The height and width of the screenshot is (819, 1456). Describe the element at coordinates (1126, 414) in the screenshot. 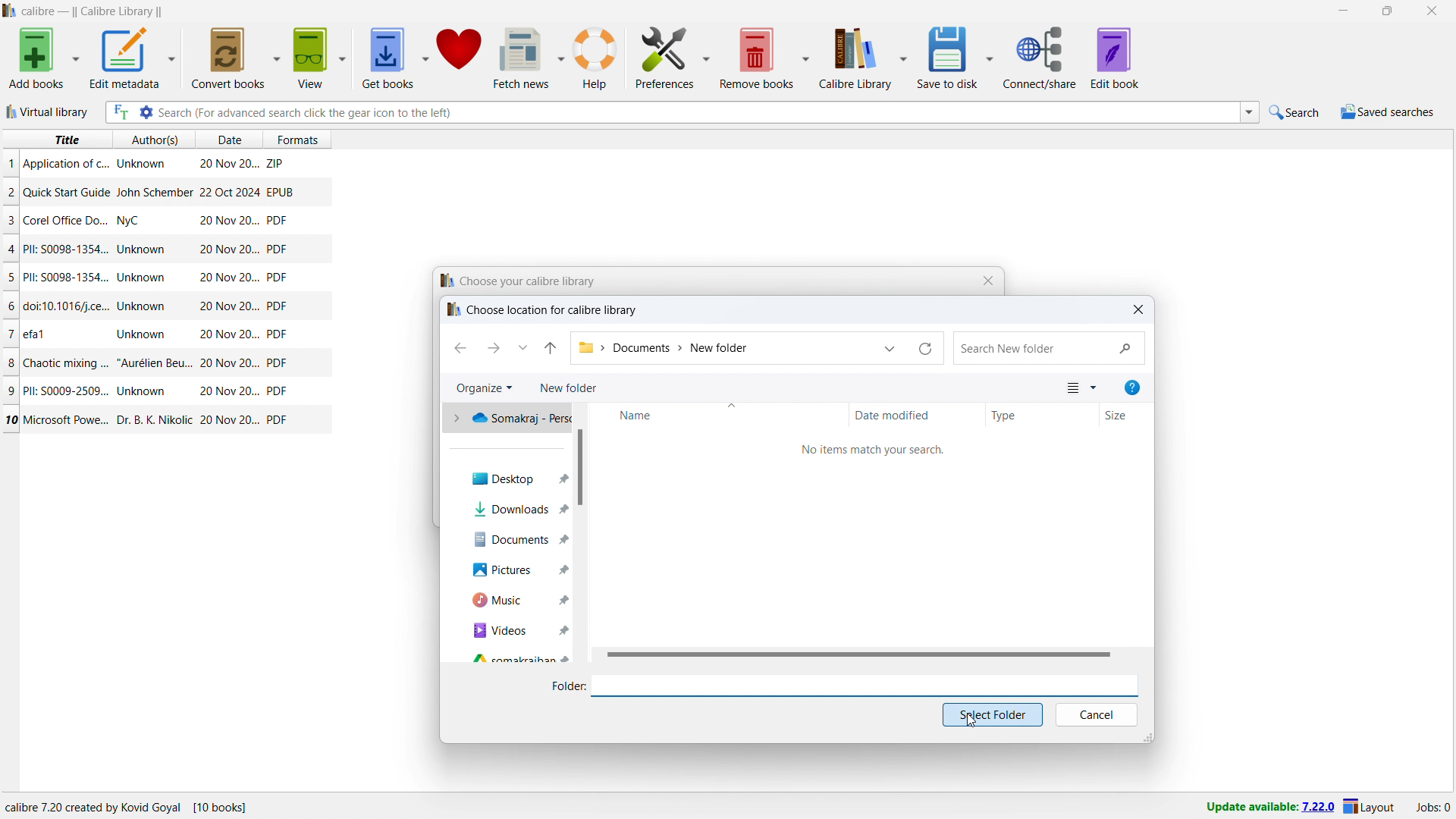

I see `size` at that location.